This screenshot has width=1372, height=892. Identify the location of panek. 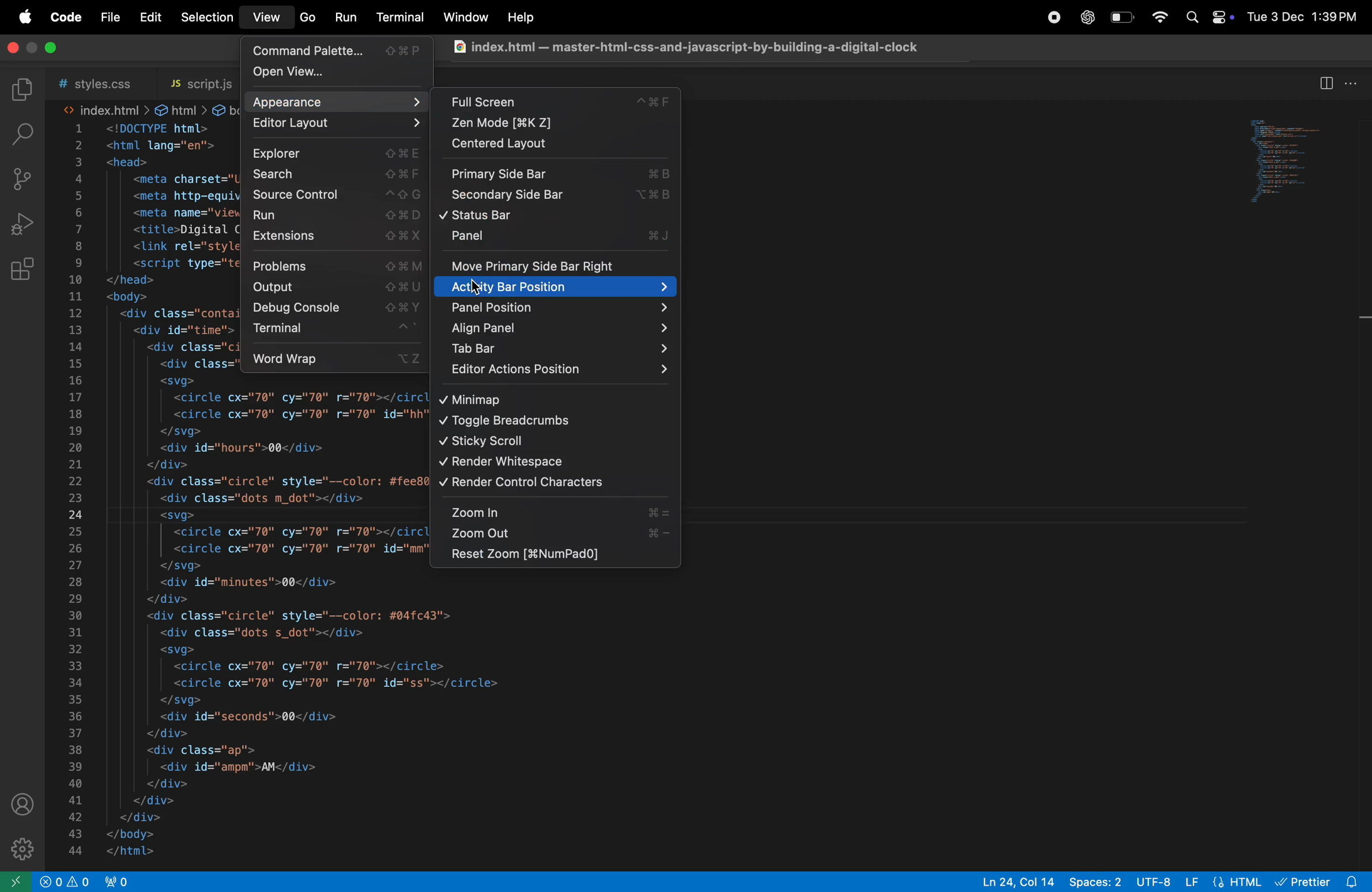
(560, 237).